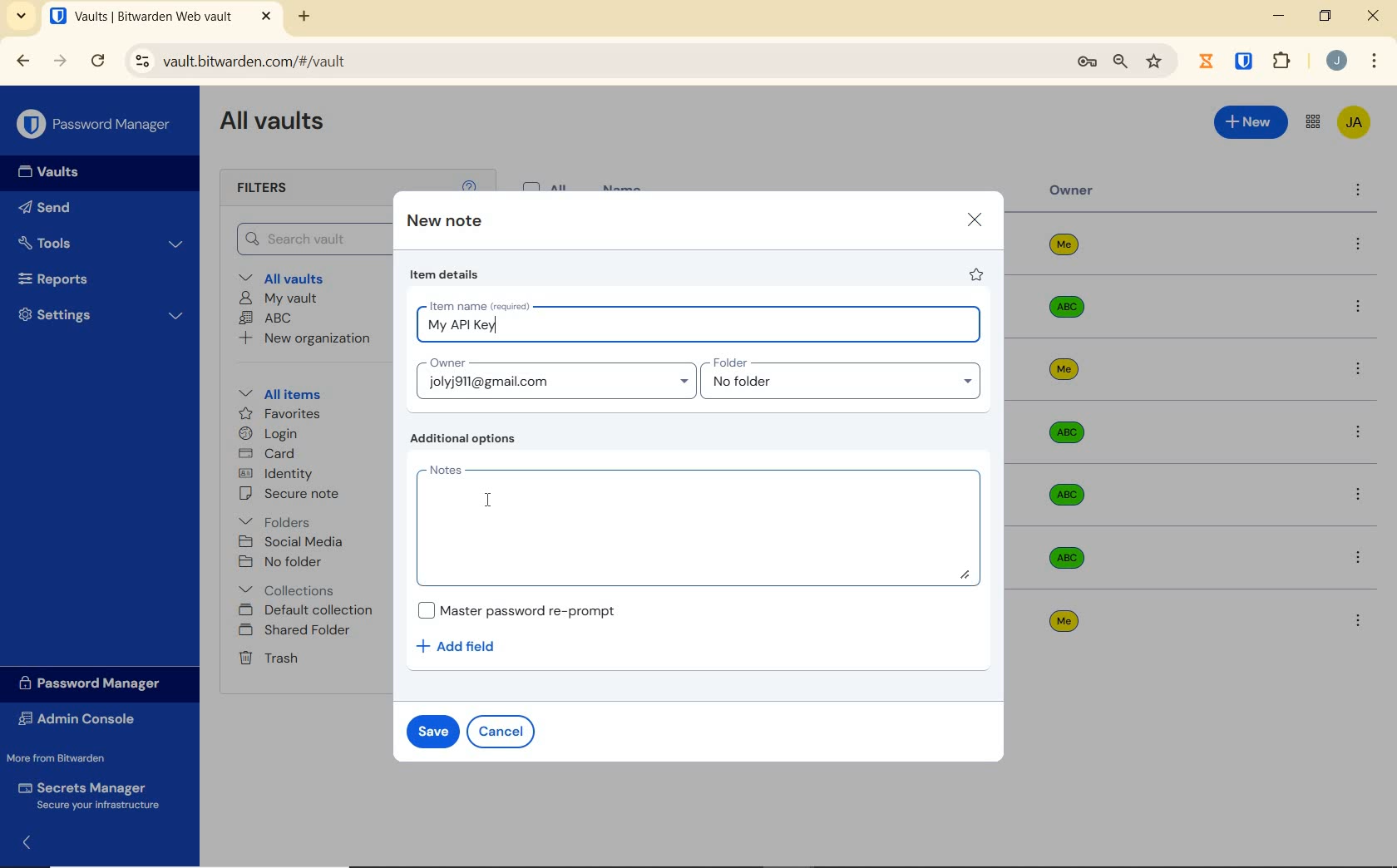  Describe the element at coordinates (1359, 245) in the screenshot. I see `more options` at that location.